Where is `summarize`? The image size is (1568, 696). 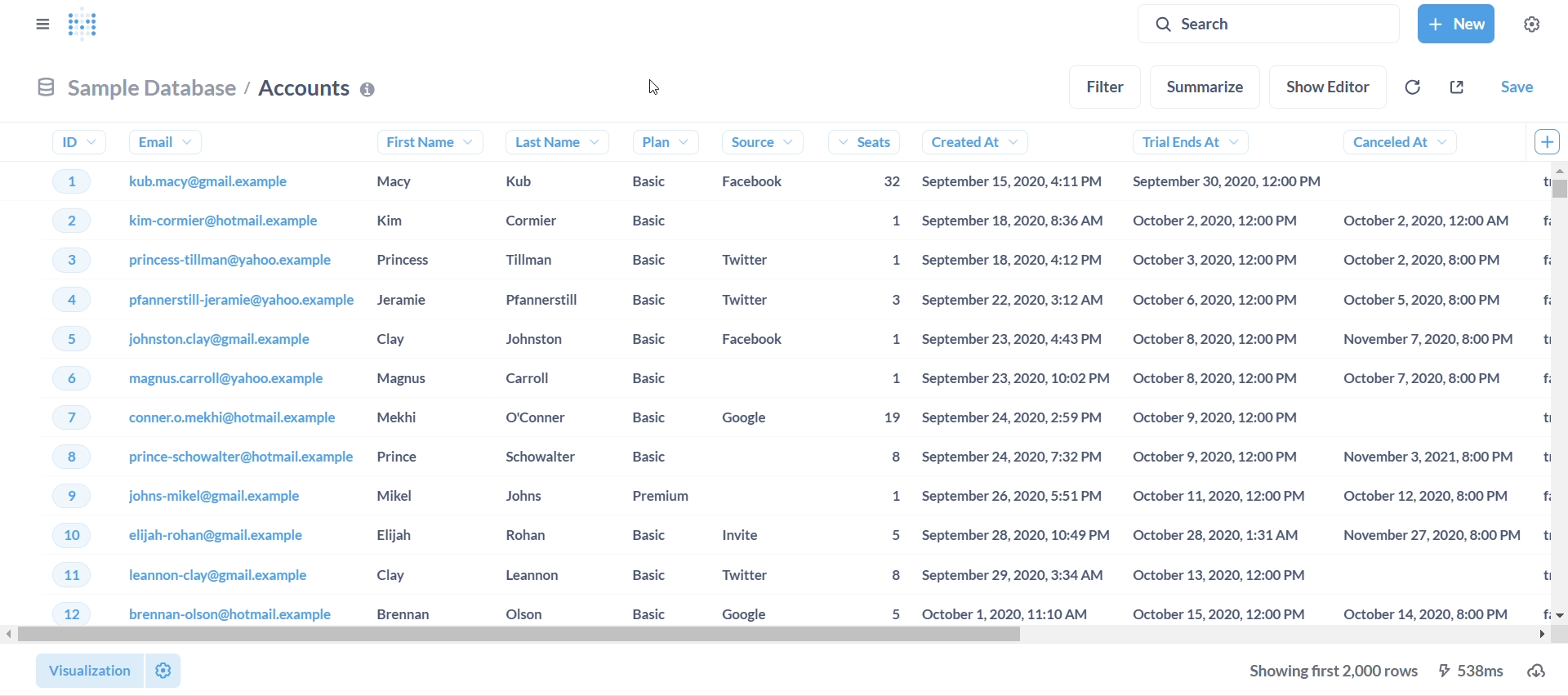 summarize is located at coordinates (1210, 87).